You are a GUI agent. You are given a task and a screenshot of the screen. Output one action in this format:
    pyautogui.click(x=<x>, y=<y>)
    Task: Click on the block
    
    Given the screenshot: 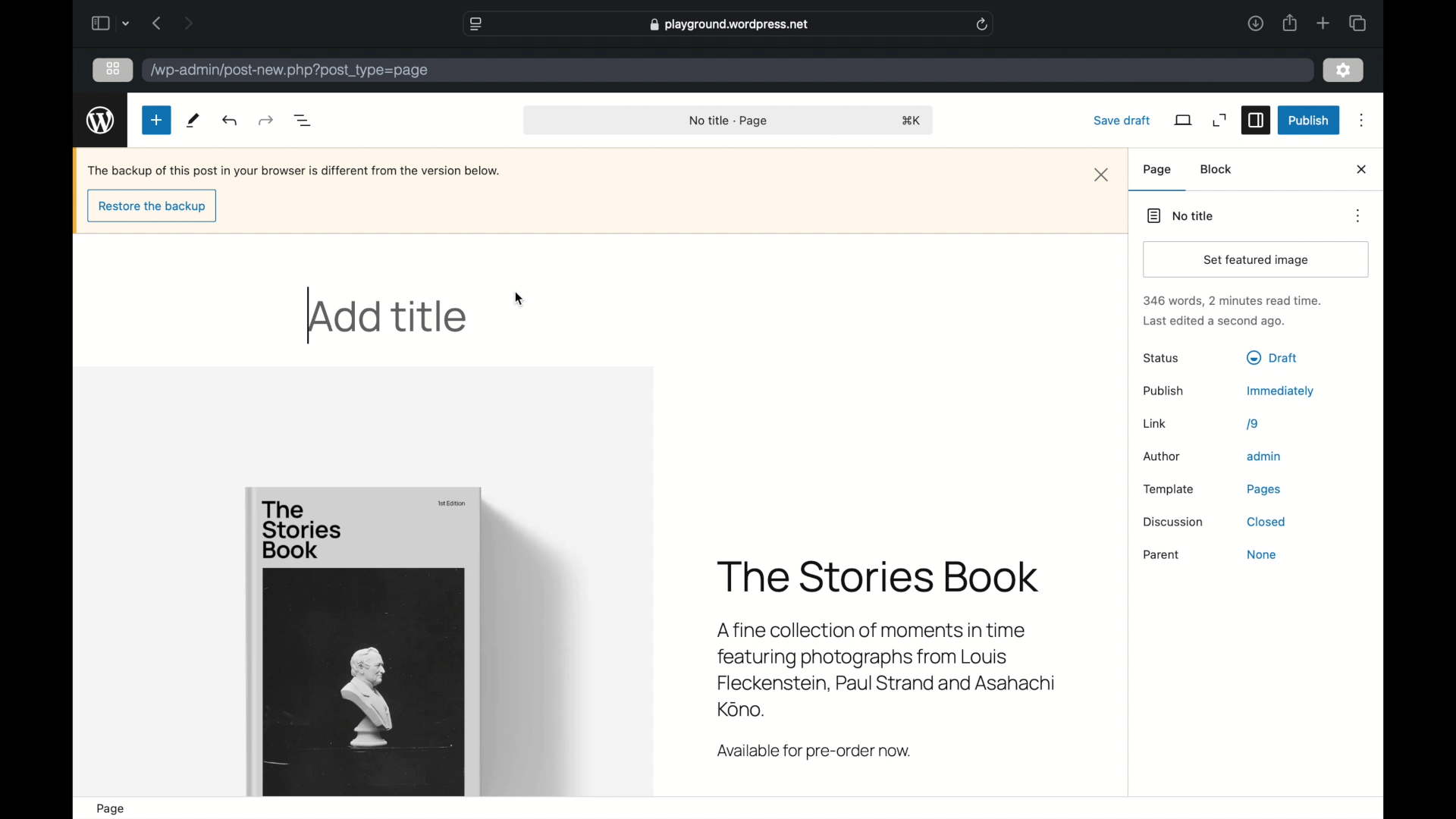 What is the action you would take?
    pyautogui.click(x=1217, y=169)
    